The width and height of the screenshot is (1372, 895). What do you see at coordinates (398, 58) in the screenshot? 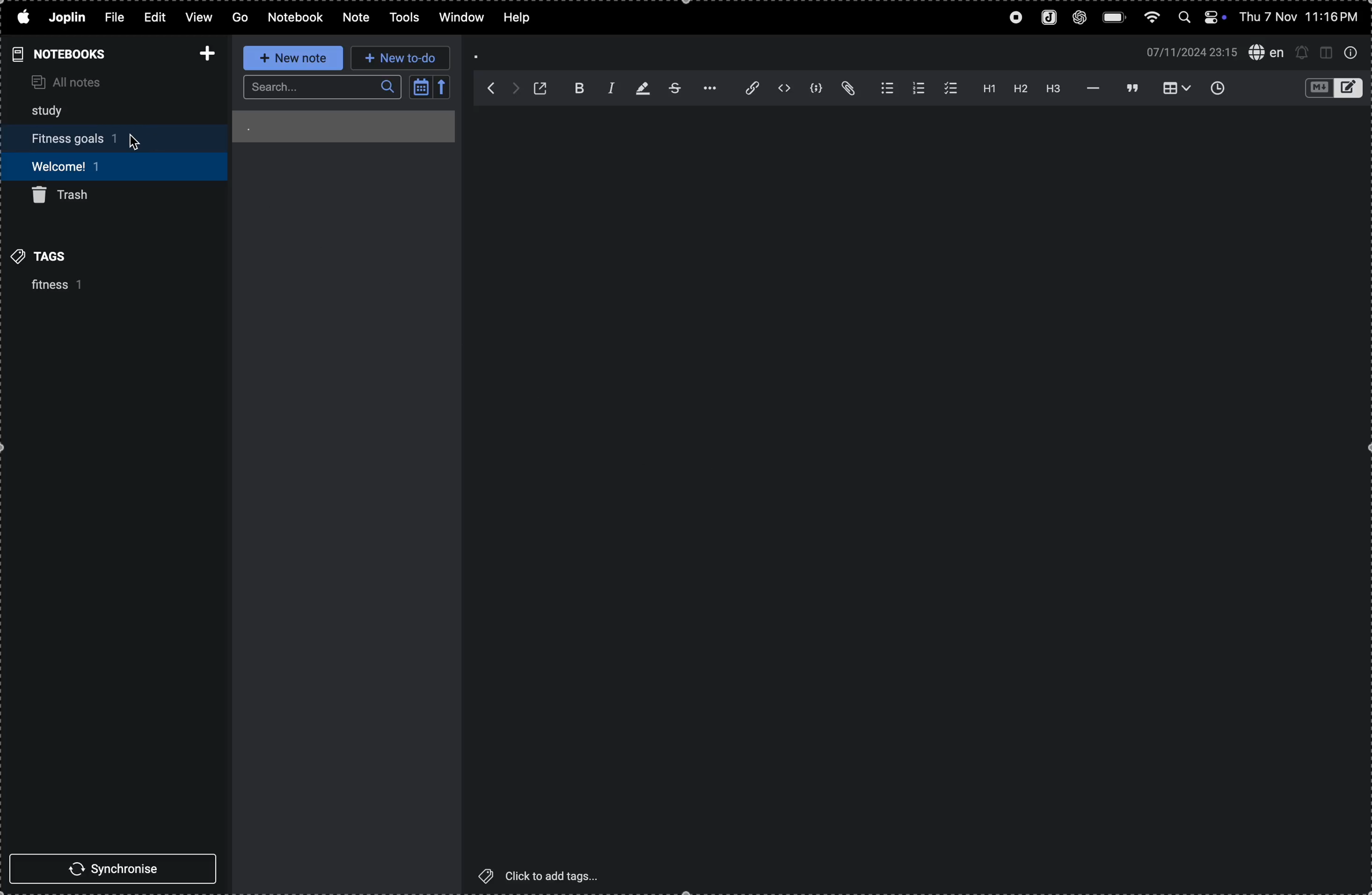
I see `new to-do` at bounding box center [398, 58].